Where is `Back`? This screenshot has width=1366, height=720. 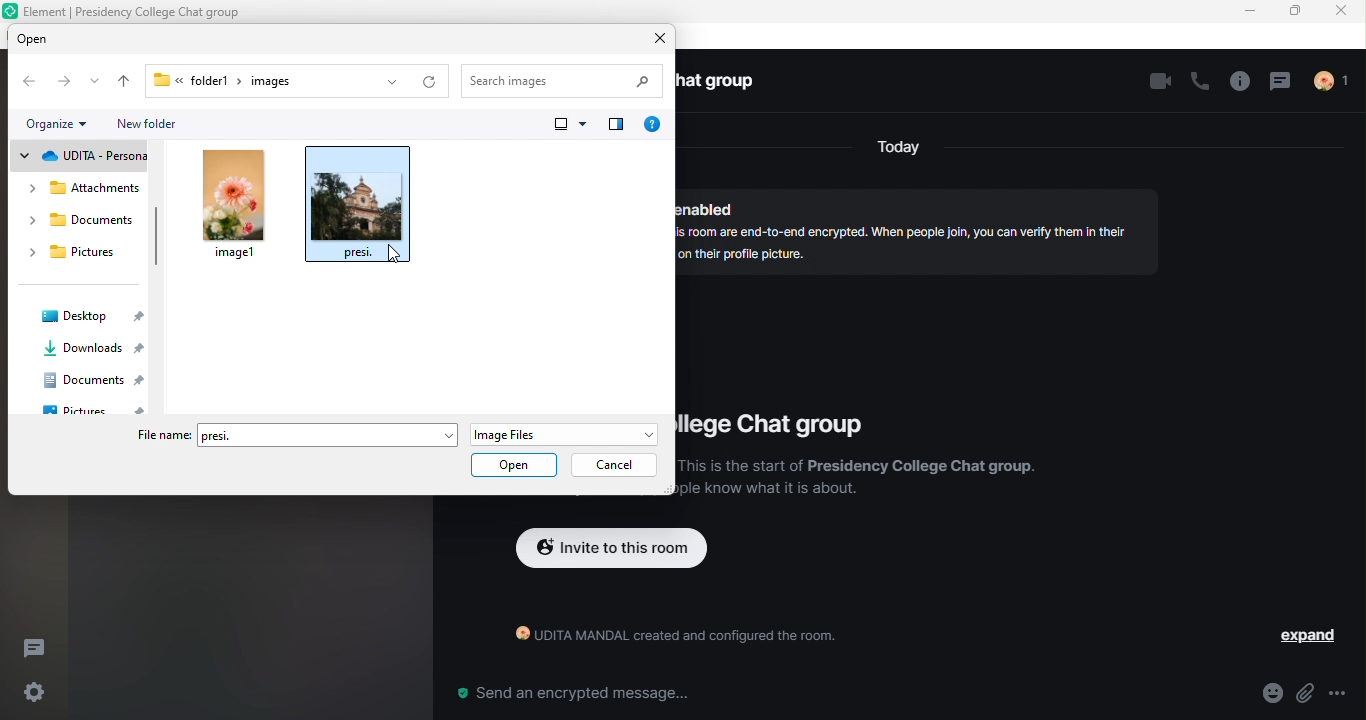
Back is located at coordinates (31, 82).